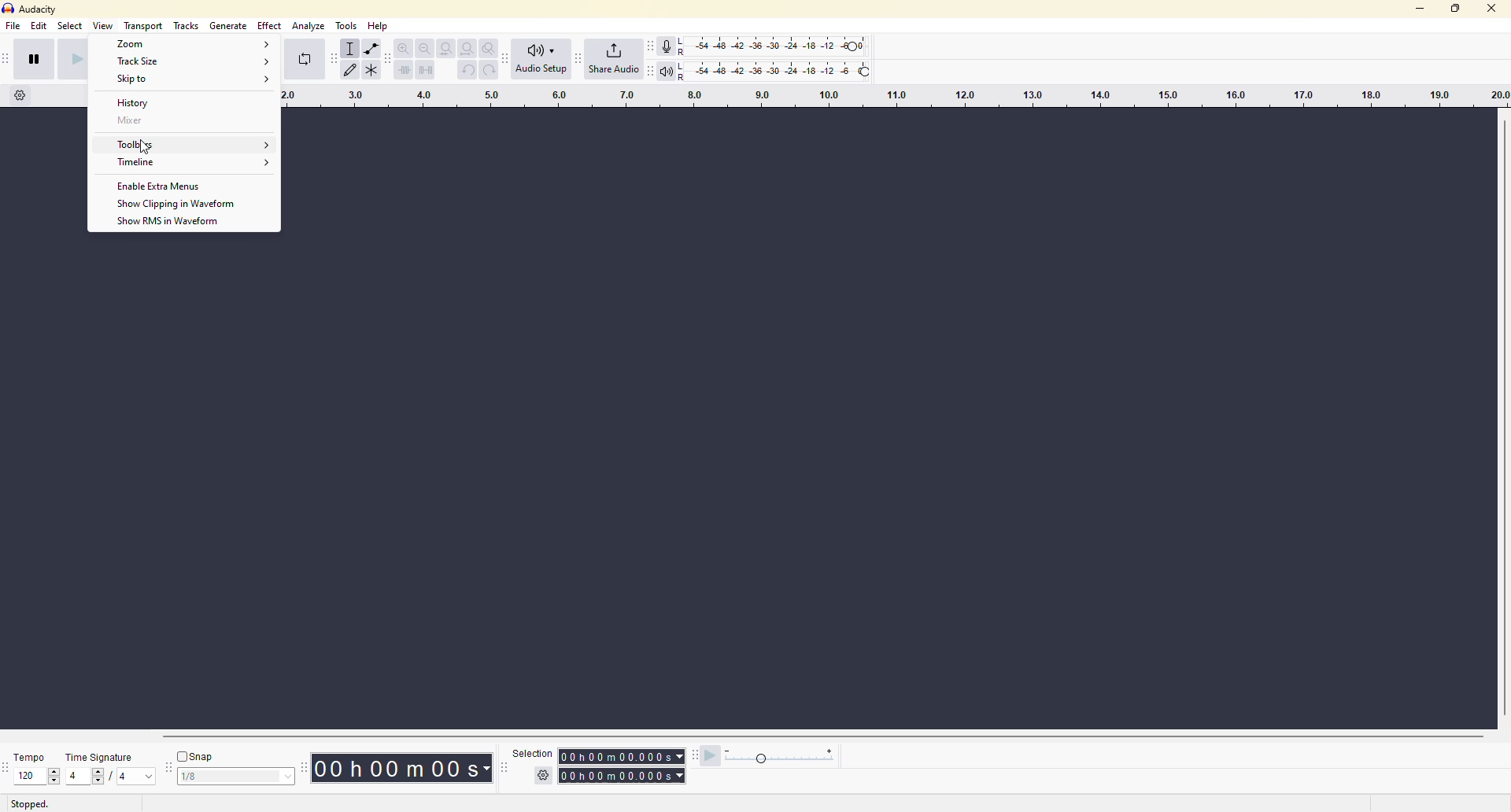  Describe the element at coordinates (782, 756) in the screenshot. I see `playback speed` at that location.